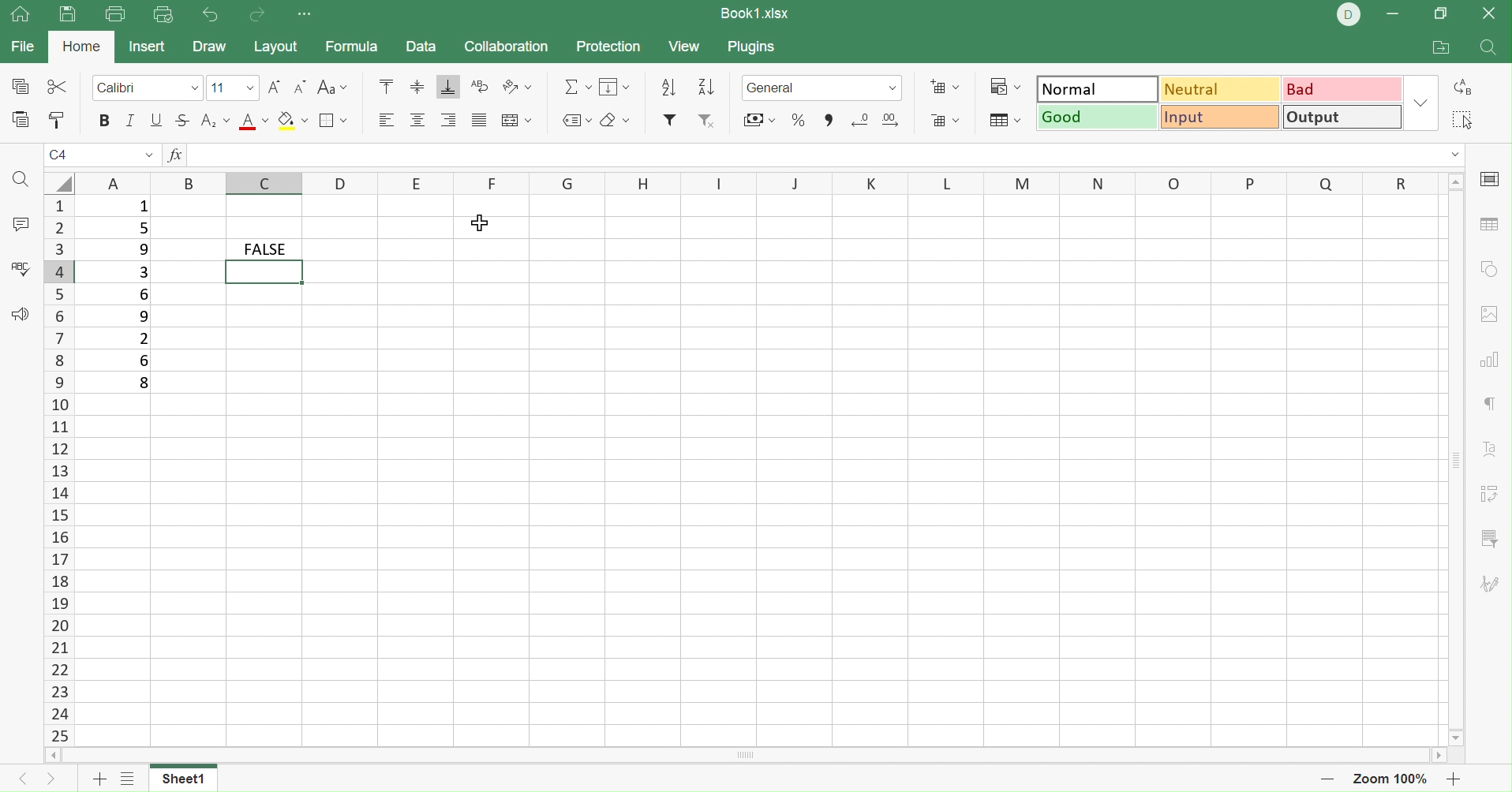 This screenshot has height=792, width=1512. What do you see at coordinates (20, 268) in the screenshot?
I see `Spell checking` at bounding box center [20, 268].